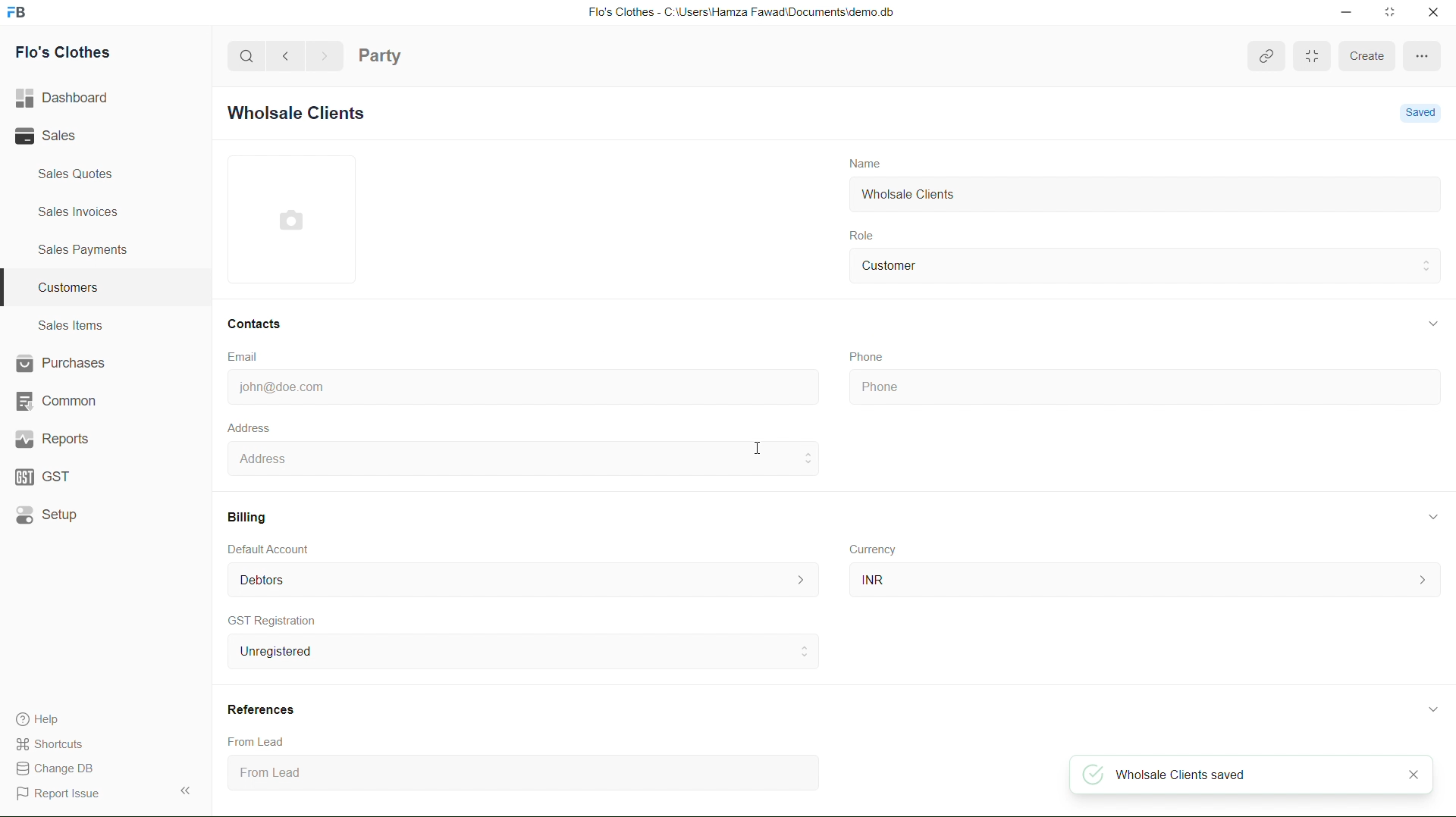  What do you see at coordinates (739, 11) in the screenshot?
I see `Flo's Clothes - C:\Users\Hamza Fawad\Documentsidemo. db` at bounding box center [739, 11].